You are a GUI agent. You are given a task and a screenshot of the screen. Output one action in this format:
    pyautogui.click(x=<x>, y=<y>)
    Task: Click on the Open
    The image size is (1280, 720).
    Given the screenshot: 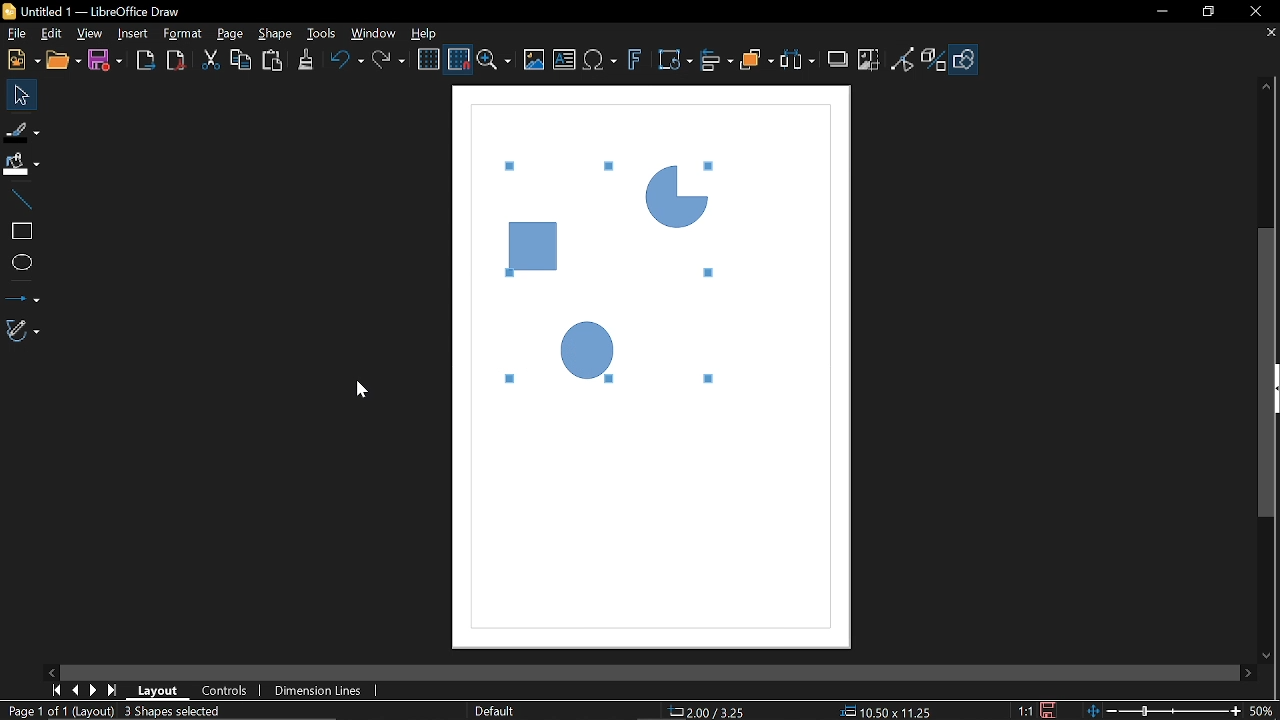 What is the action you would take?
    pyautogui.click(x=62, y=62)
    